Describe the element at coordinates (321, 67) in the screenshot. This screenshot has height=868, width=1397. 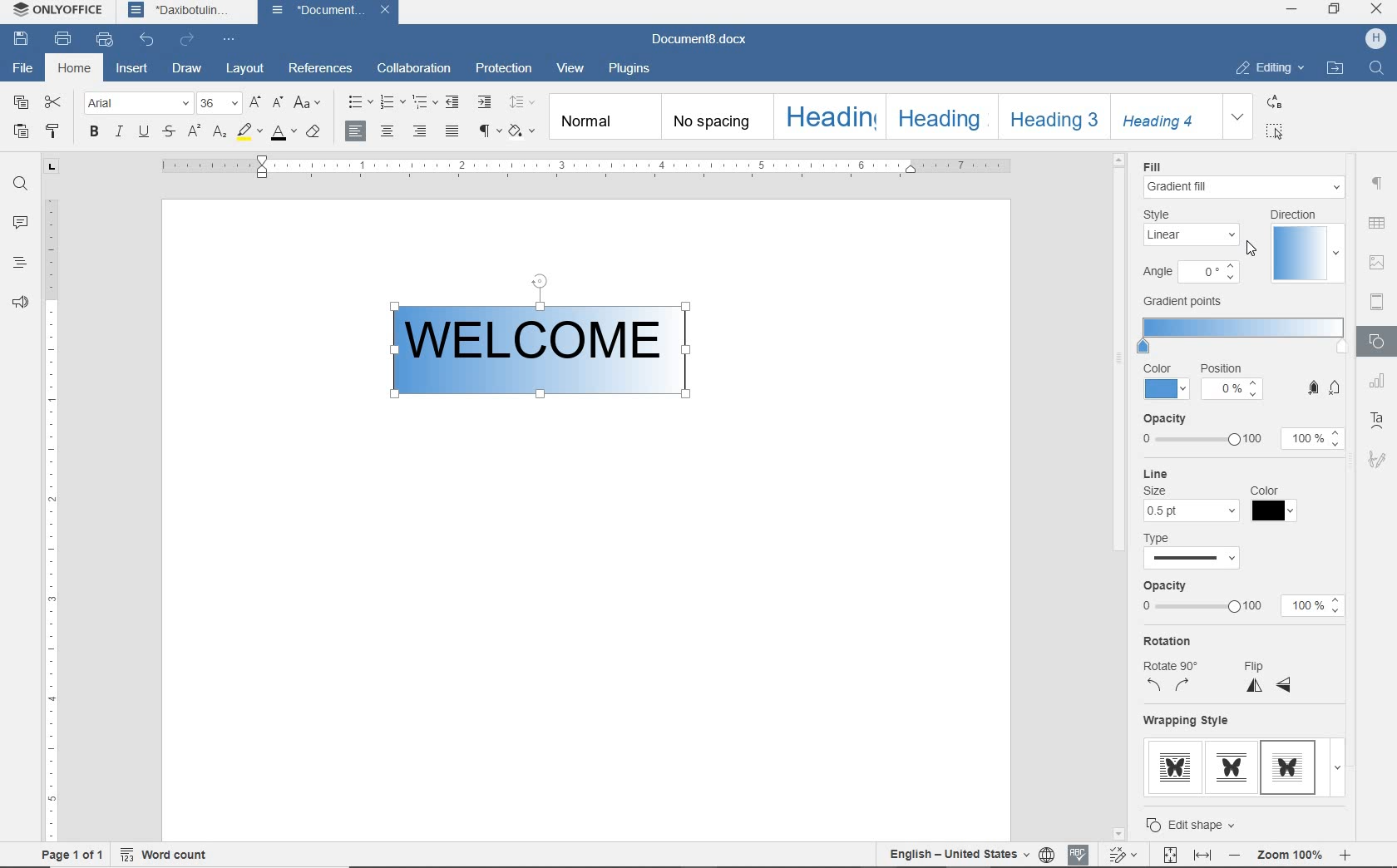
I see `REFERENCES` at that location.